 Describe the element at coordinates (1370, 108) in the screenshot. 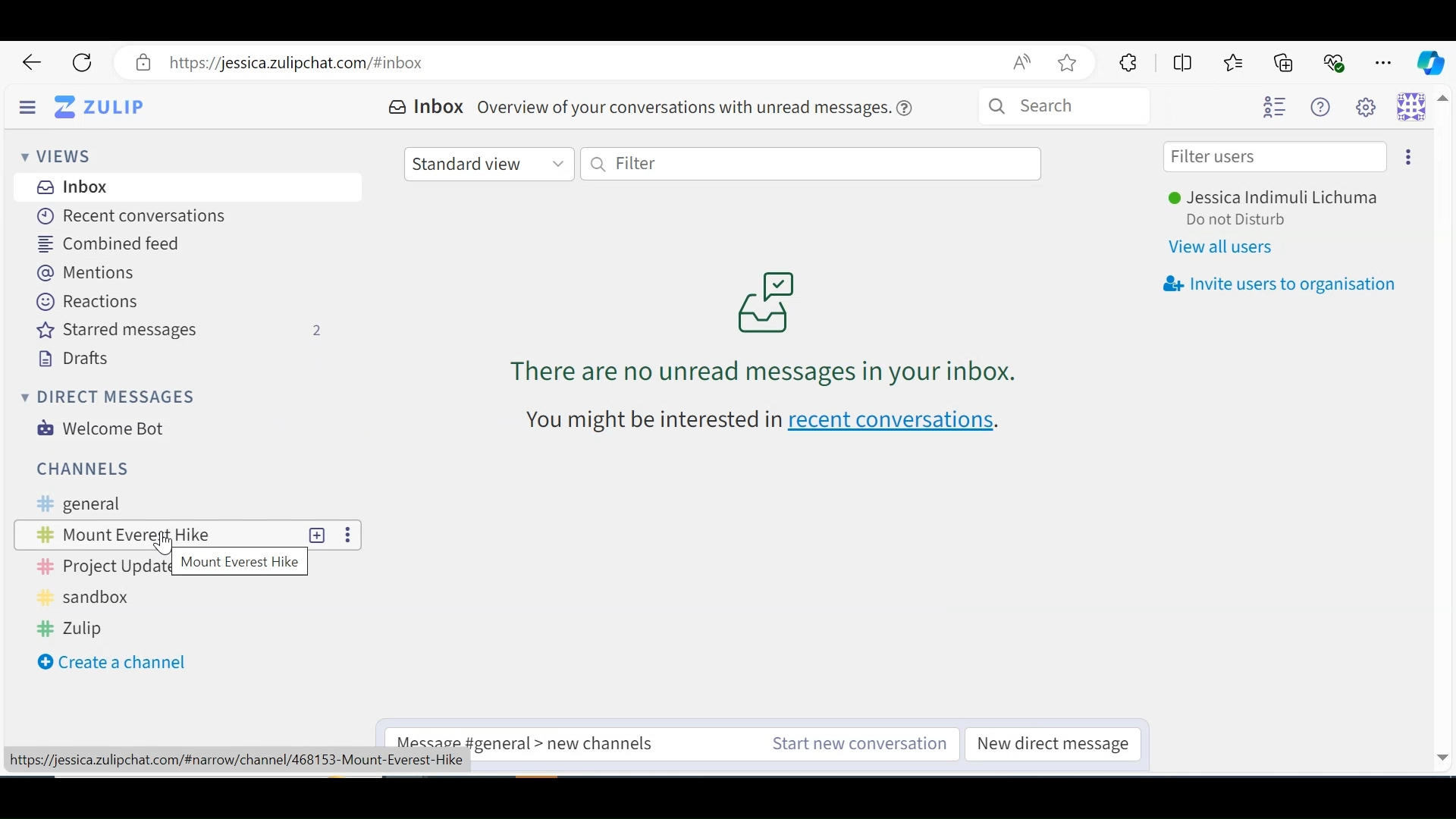

I see `main settings` at that location.